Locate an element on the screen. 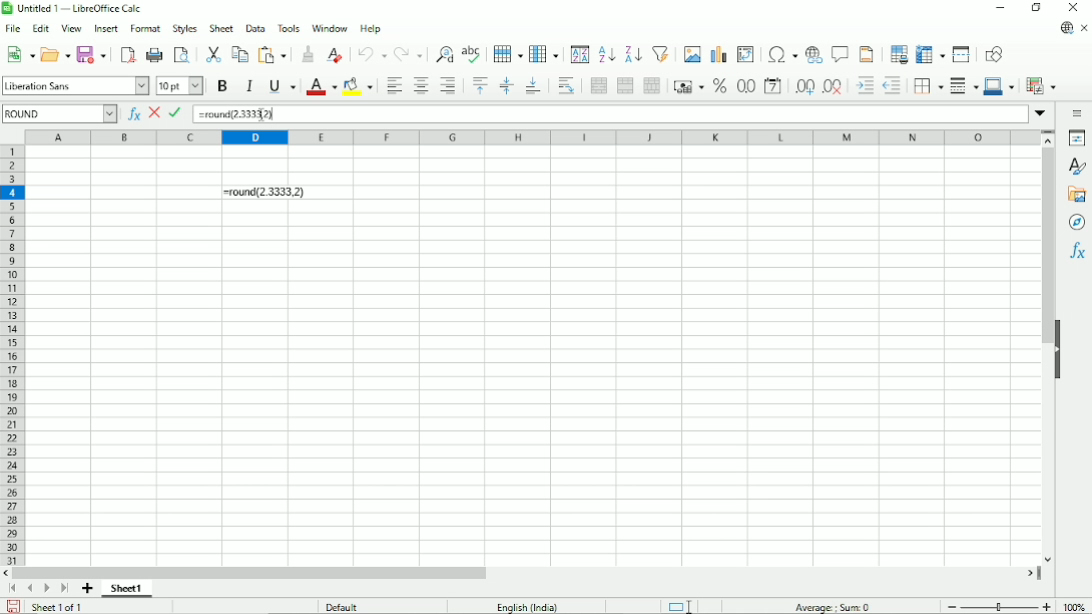 The width and height of the screenshot is (1092, 614). cursor is located at coordinates (262, 116).